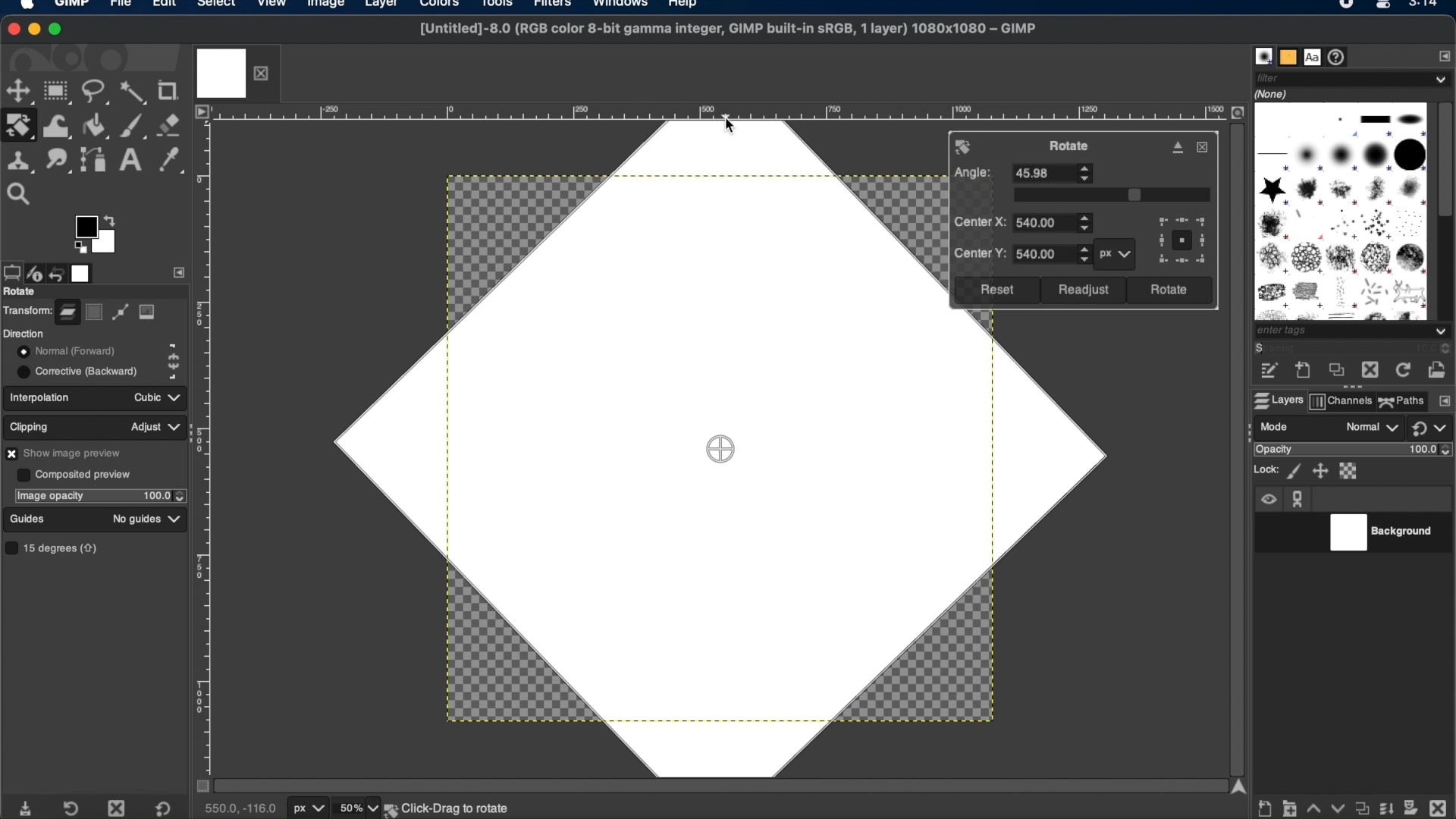  Describe the element at coordinates (502, 6) in the screenshot. I see `tools` at that location.